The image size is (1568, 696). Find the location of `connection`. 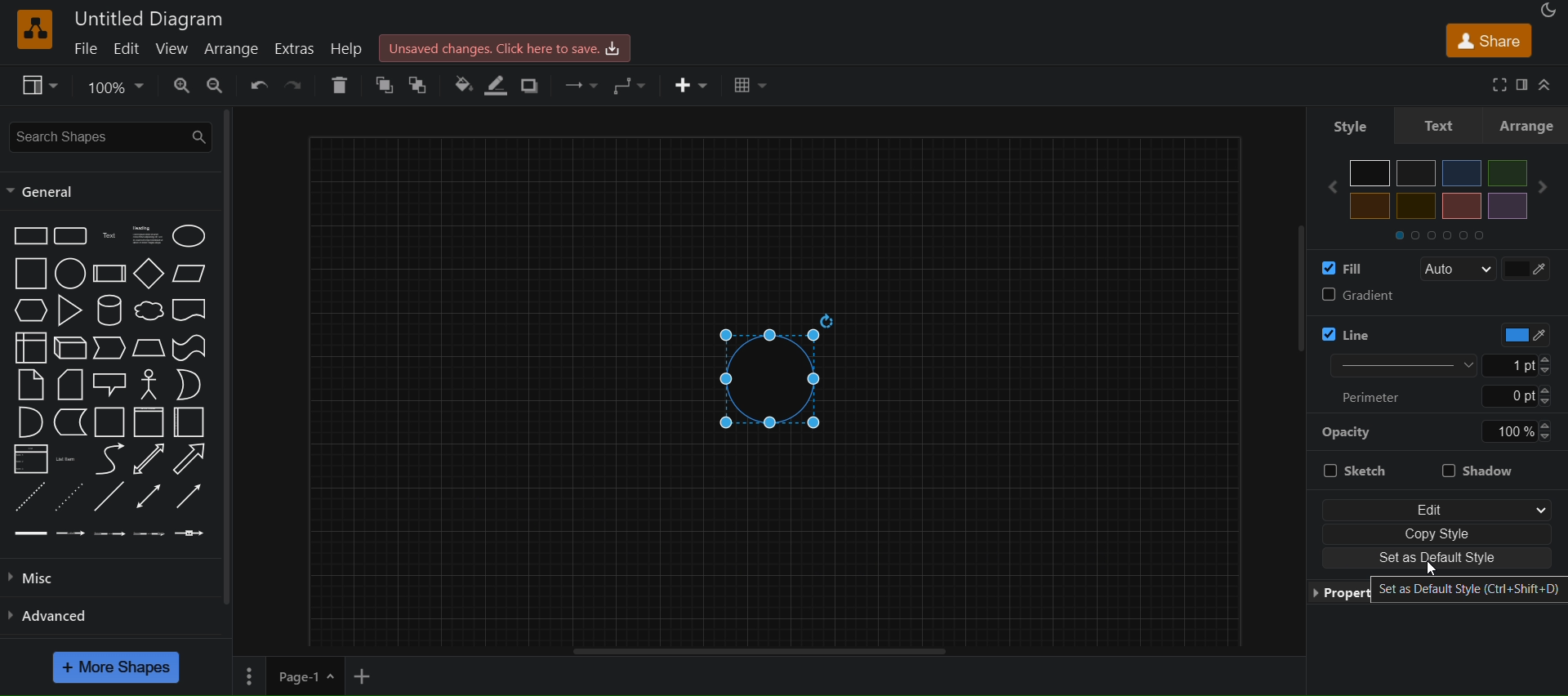

connection is located at coordinates (576, 82).